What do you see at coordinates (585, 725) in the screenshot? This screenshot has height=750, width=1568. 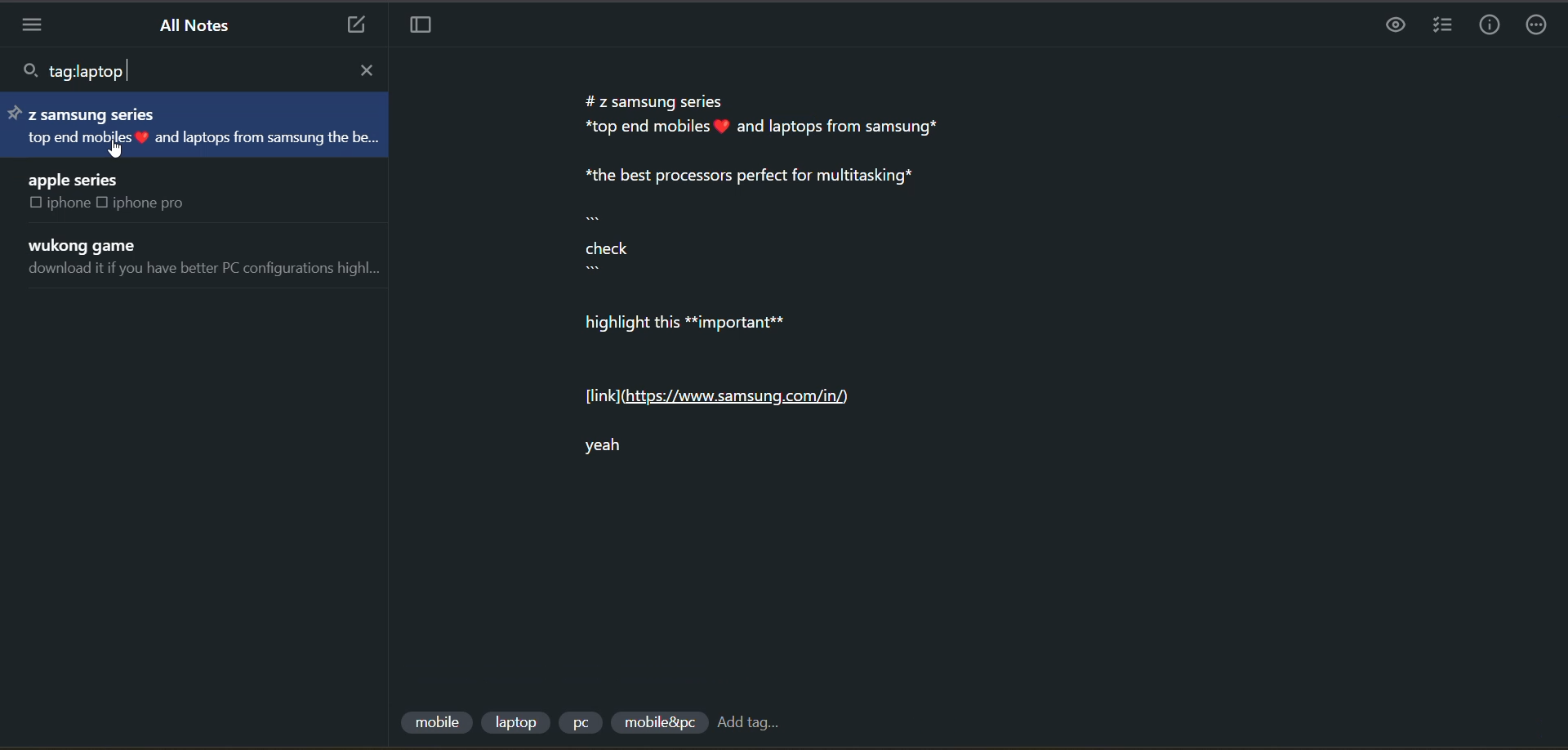 I see `pc` at bounding box center [585, 725].